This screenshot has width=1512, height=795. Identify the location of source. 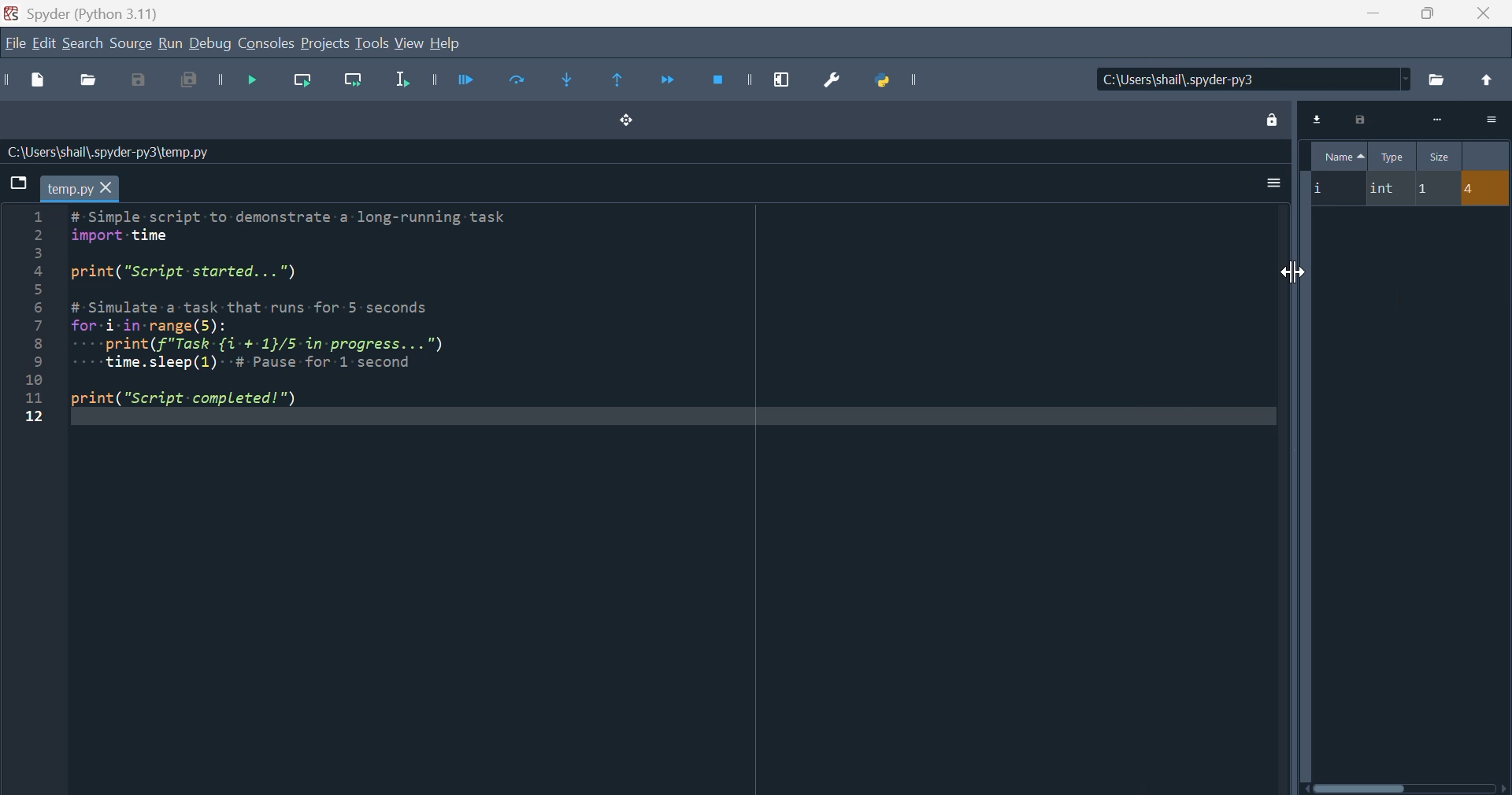
(131, 45).